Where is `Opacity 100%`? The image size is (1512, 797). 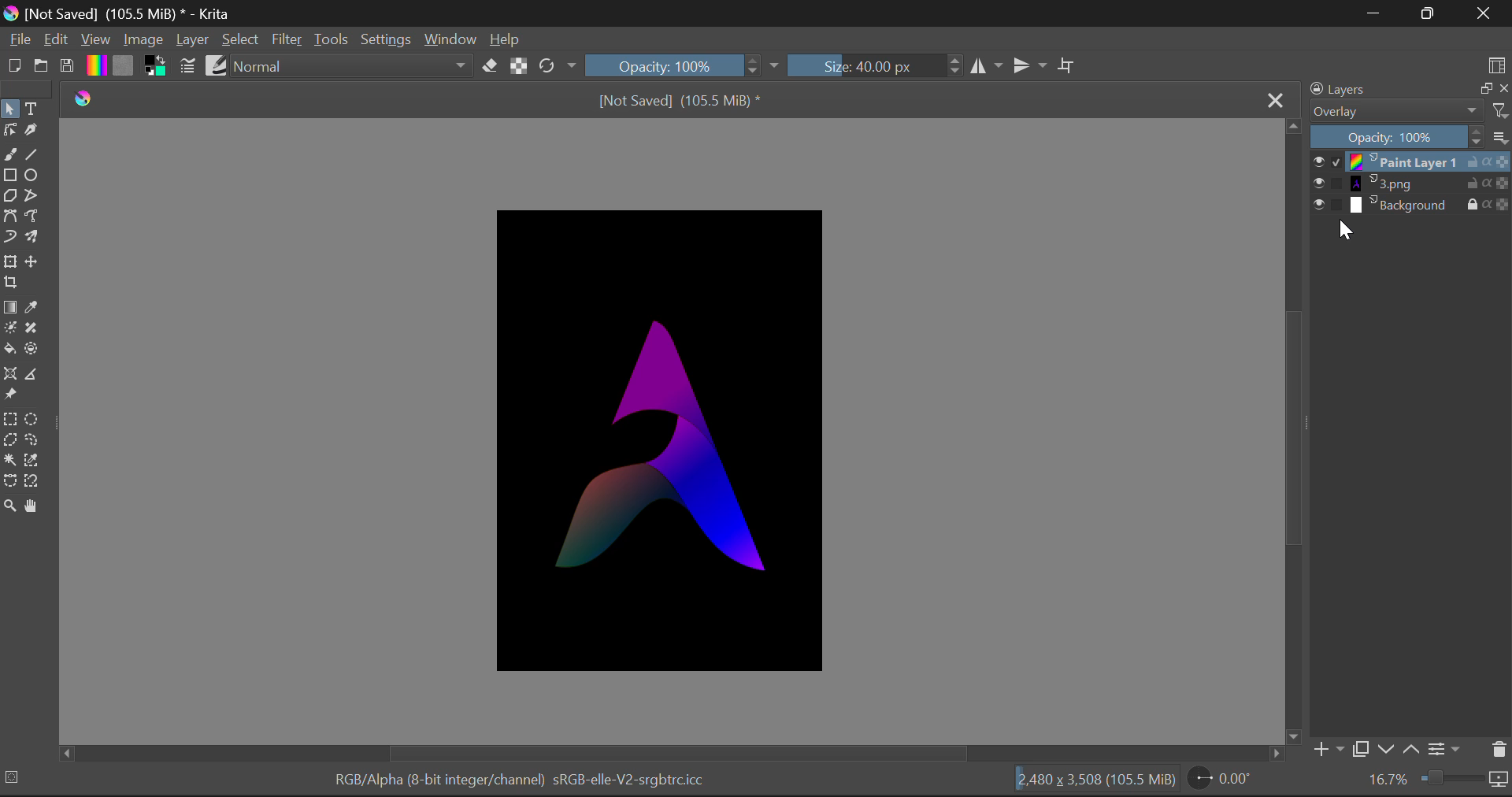 Opacity 100% is located at coordinates (1388, 137).